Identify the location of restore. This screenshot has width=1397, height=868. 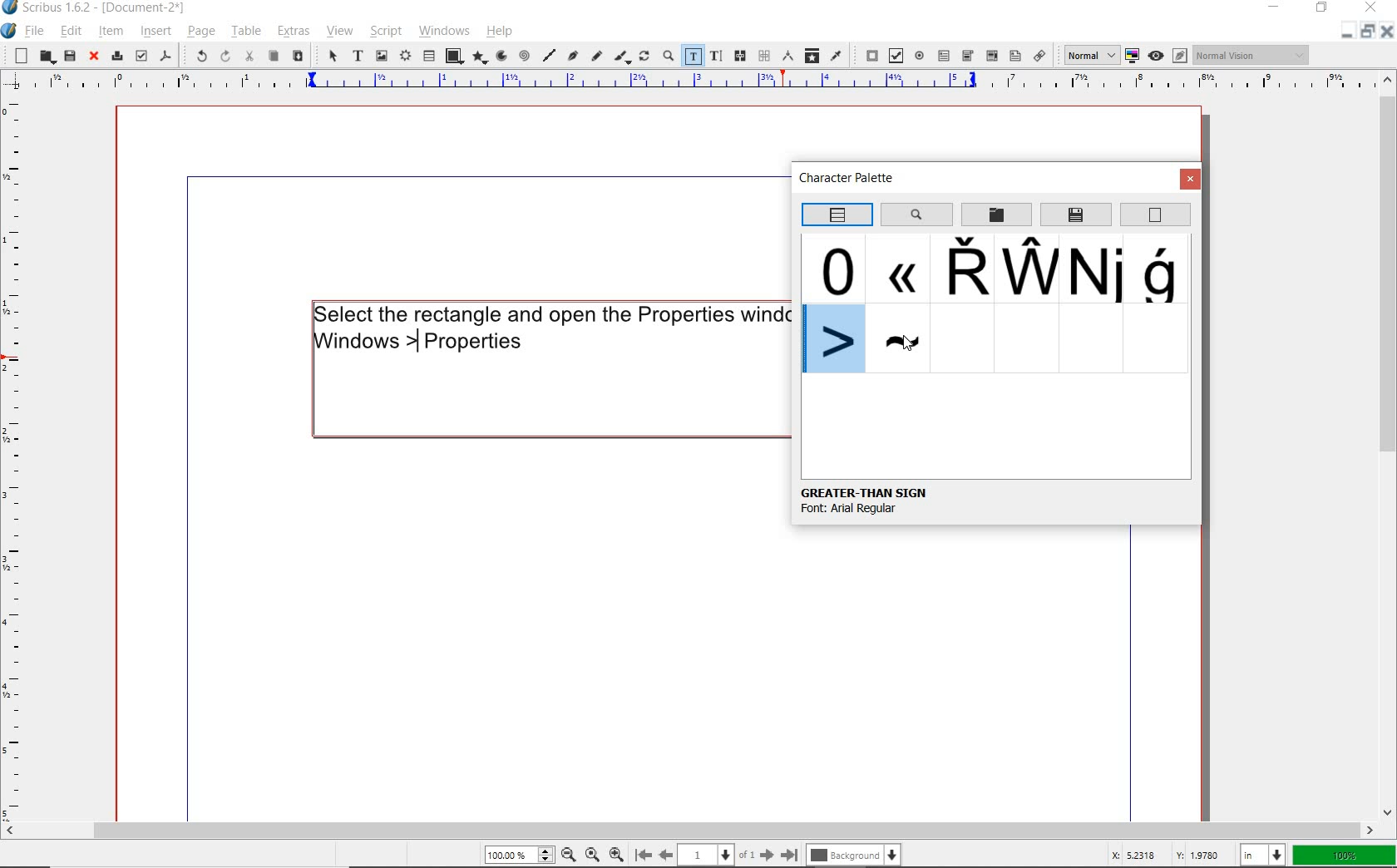
(1322, 9).